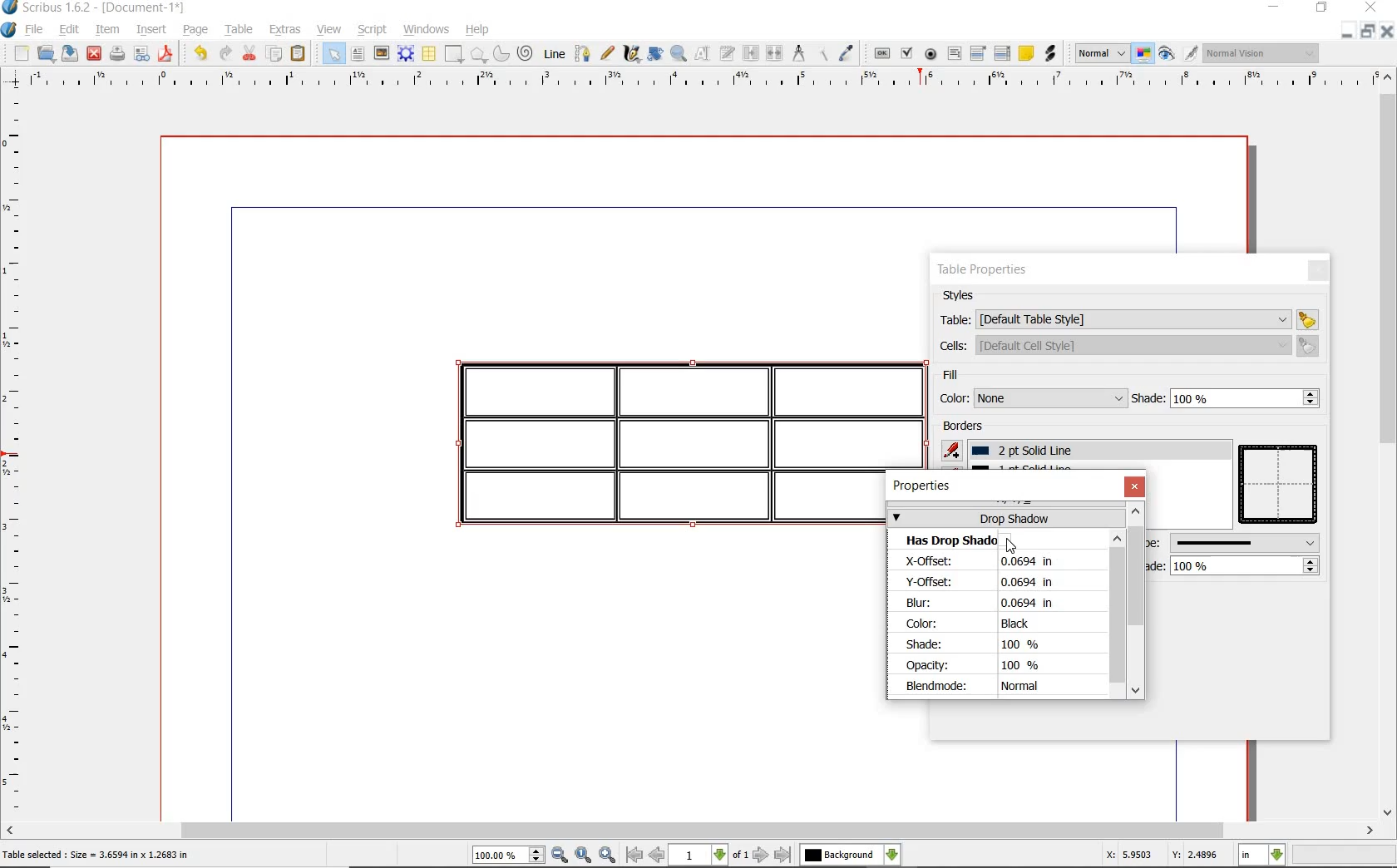  Describe the element at coordinates (358, 54) in the screenshot. I see `text frame` at that location.